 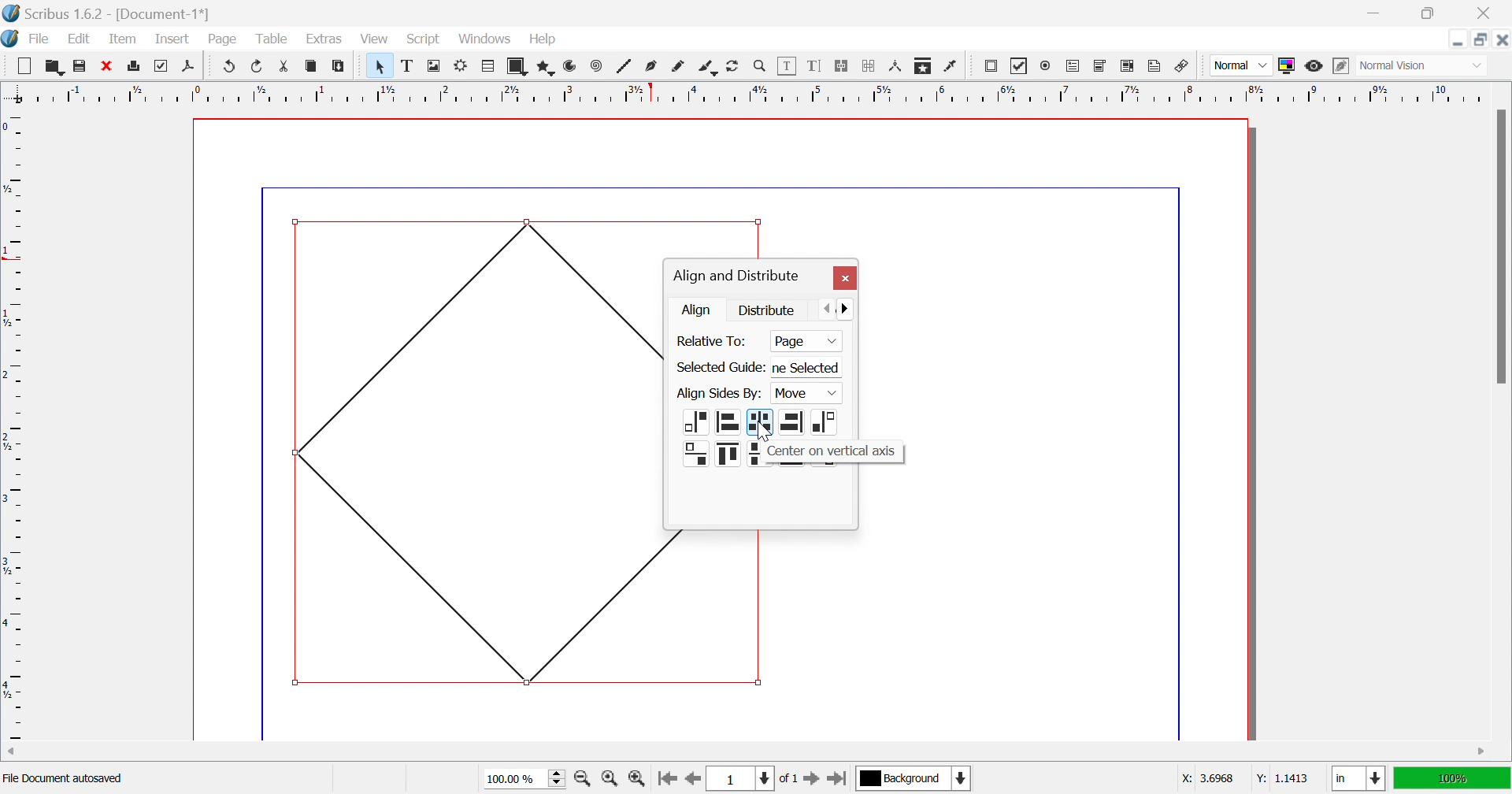 I want to click on Align, so click(x=699, y=310).